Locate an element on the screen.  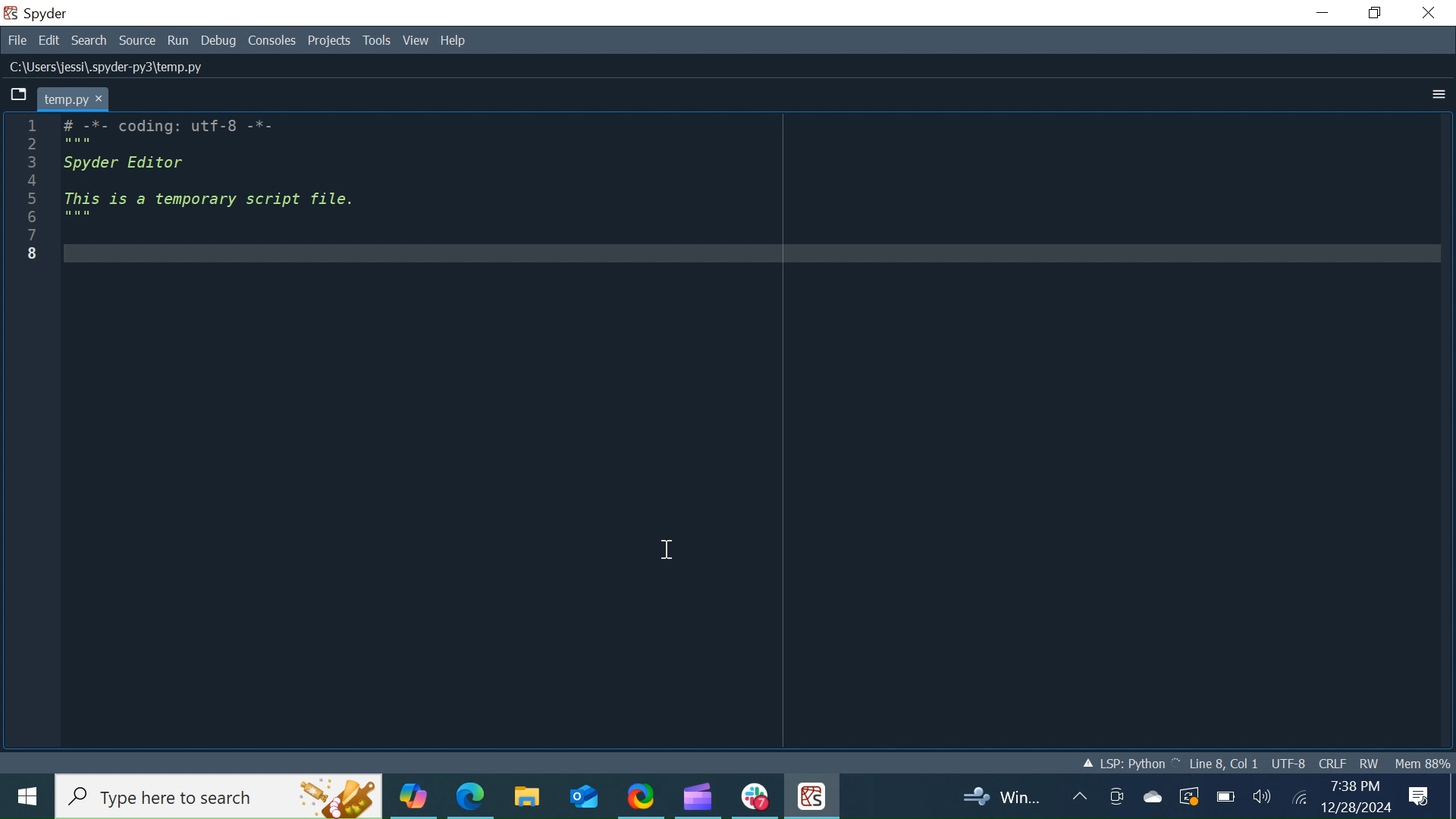
Projects is located at coordinates (331, 41).